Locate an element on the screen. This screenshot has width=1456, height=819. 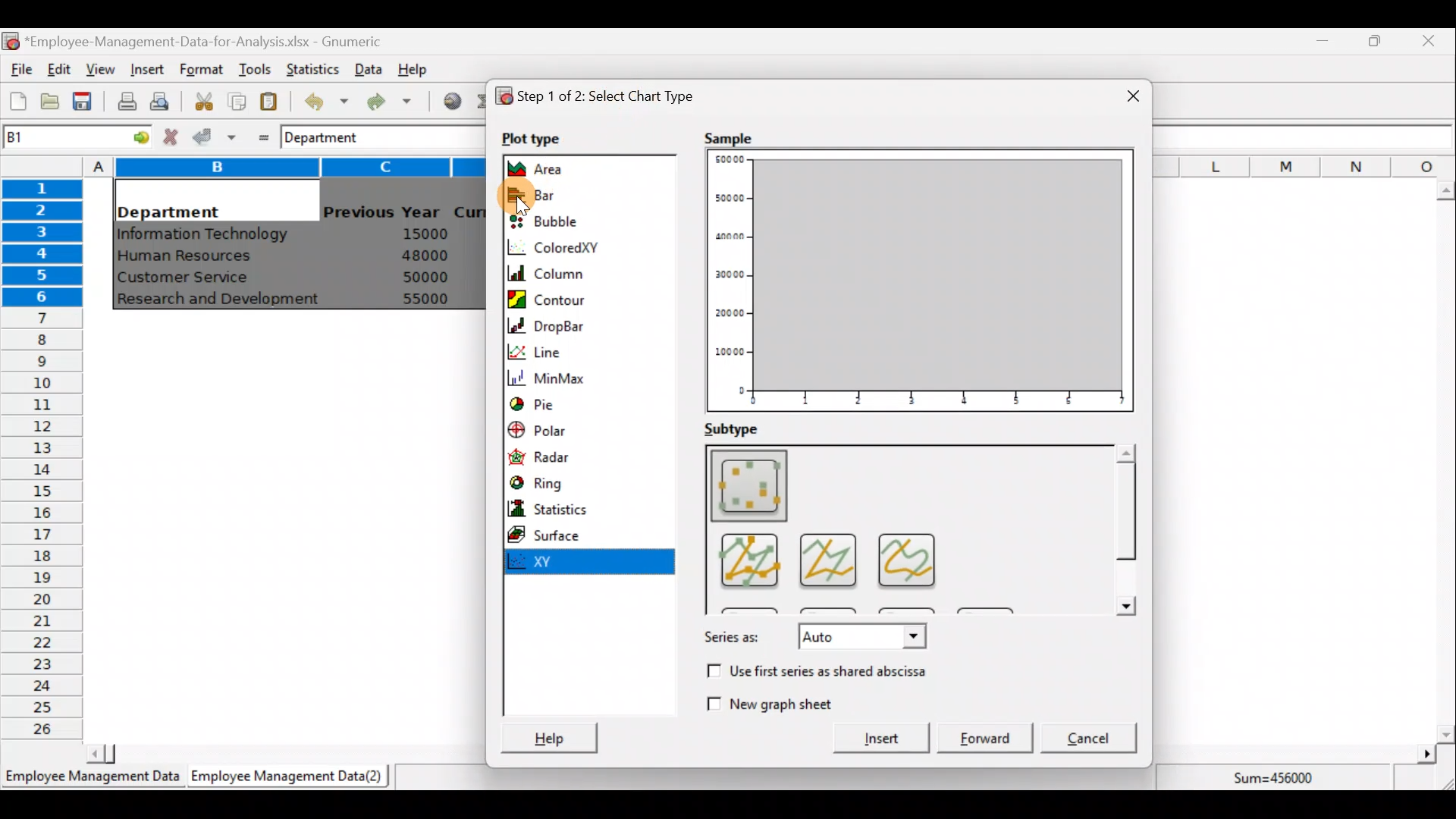
Scroll bar is located at coordinates (1445, 462).